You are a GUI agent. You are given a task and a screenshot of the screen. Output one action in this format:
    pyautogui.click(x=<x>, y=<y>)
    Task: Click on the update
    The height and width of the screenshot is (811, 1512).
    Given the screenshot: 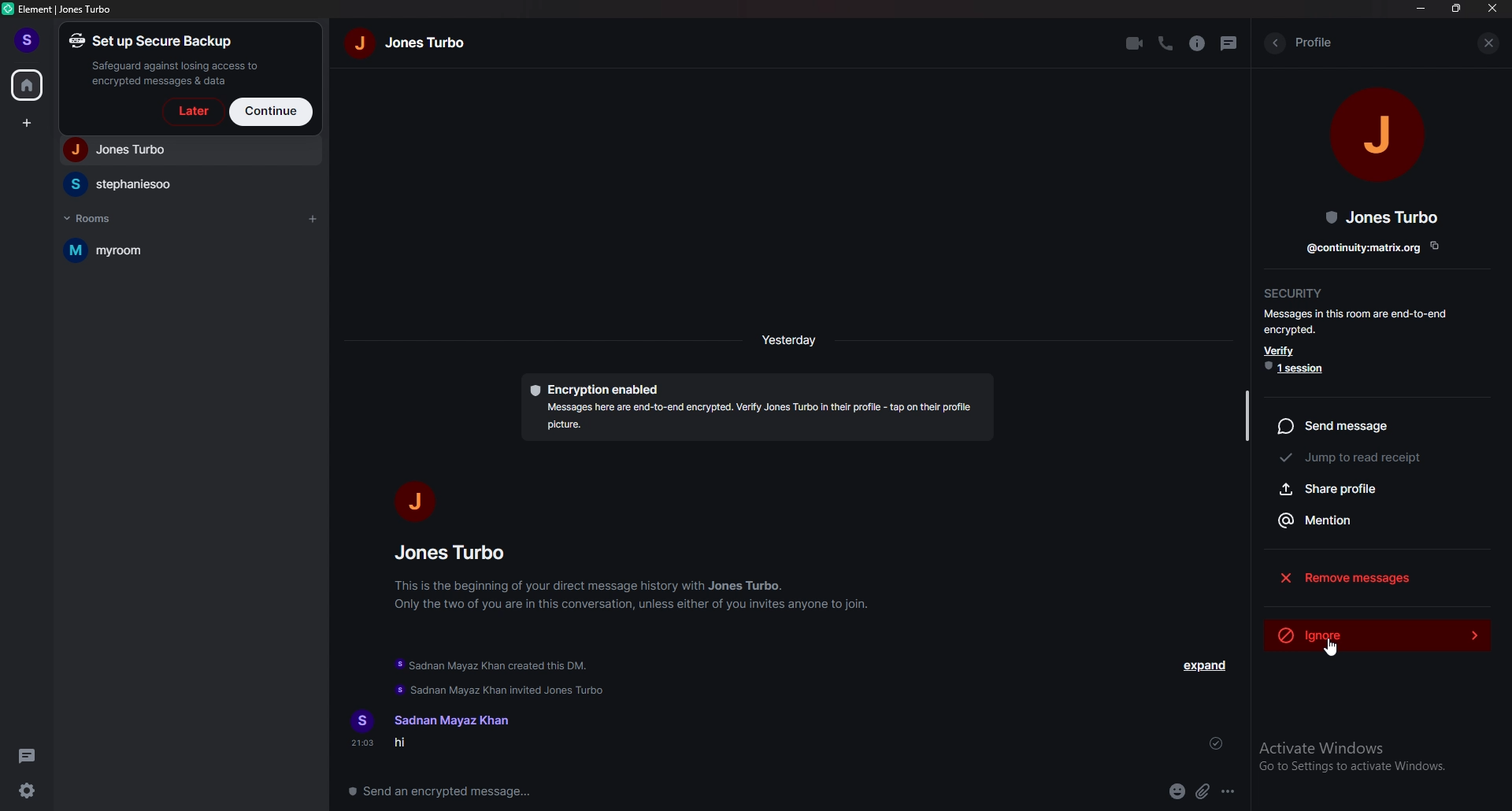 What is the action you would take?
    pyautogui.click(x=495, y=676)
    